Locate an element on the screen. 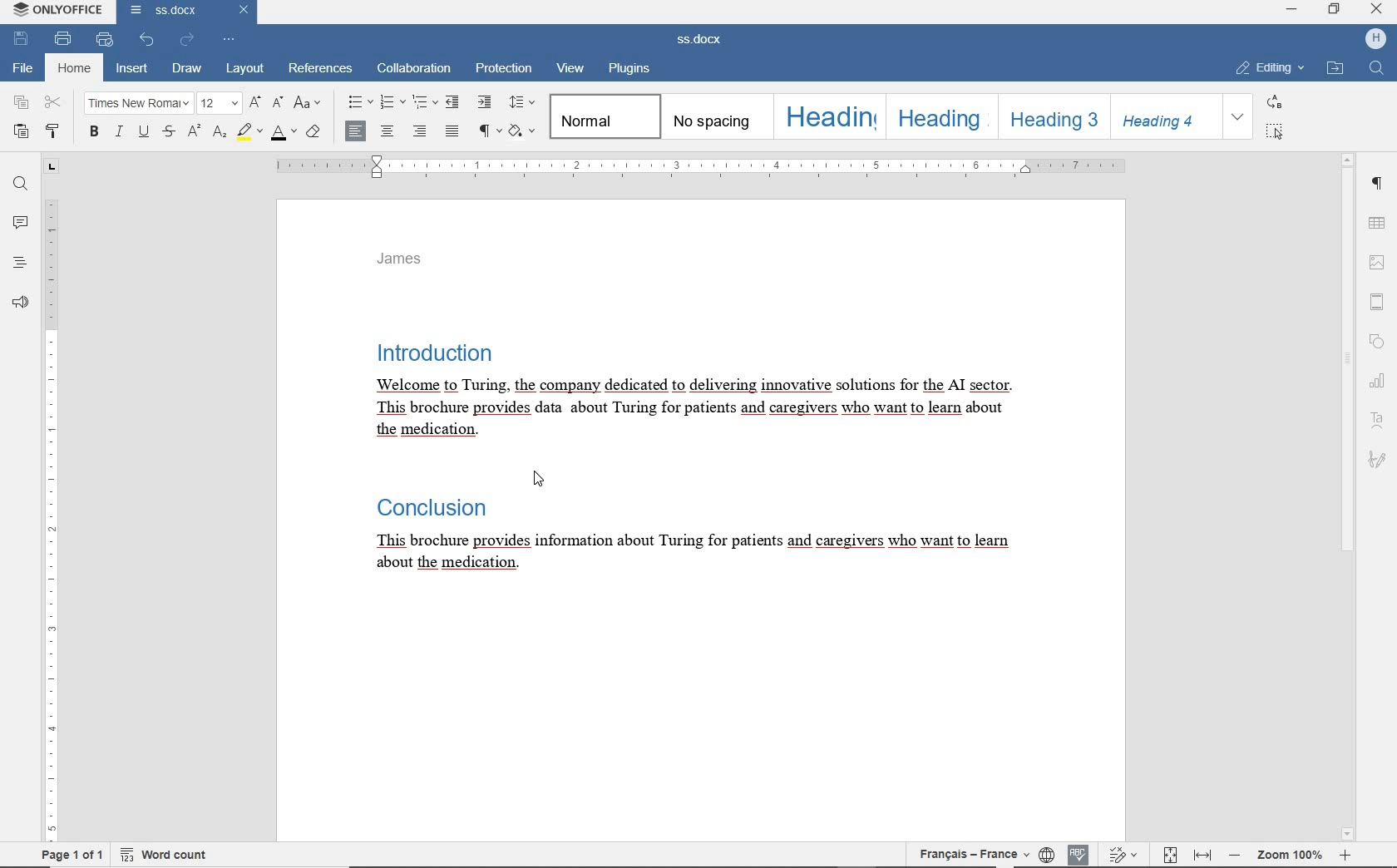 The height and width of the screenshot is (868, 1397). COMMENT is located at coordinates (19, 224).